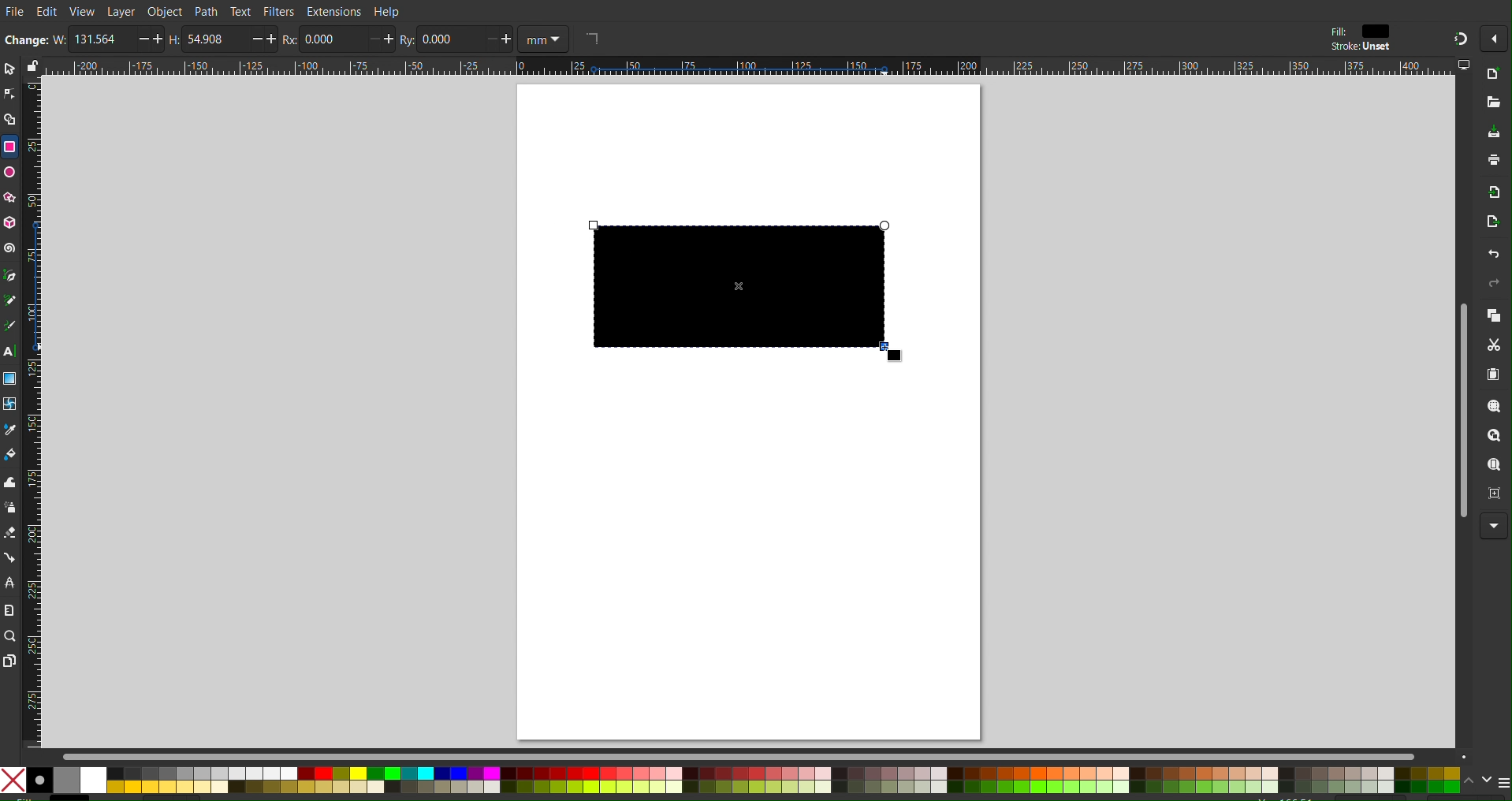 The width and height of the screenshot is (1512, 801). What do you see at coordinates (9, 274) in the screenshot?
I see `Pen Tool` at bounding box center [9, 274].